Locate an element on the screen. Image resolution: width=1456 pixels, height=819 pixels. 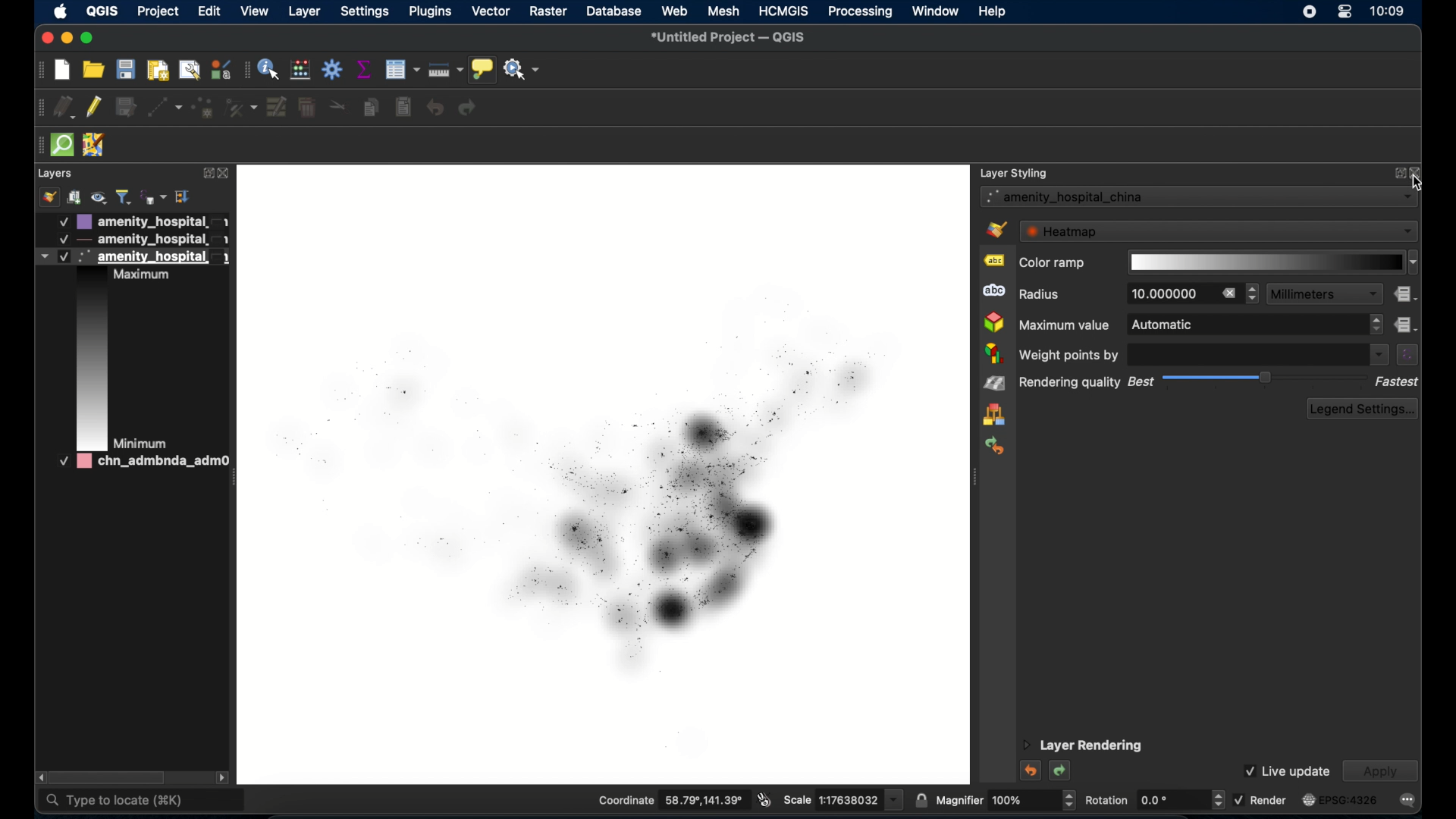
masks is located at coordinates (994, 292).